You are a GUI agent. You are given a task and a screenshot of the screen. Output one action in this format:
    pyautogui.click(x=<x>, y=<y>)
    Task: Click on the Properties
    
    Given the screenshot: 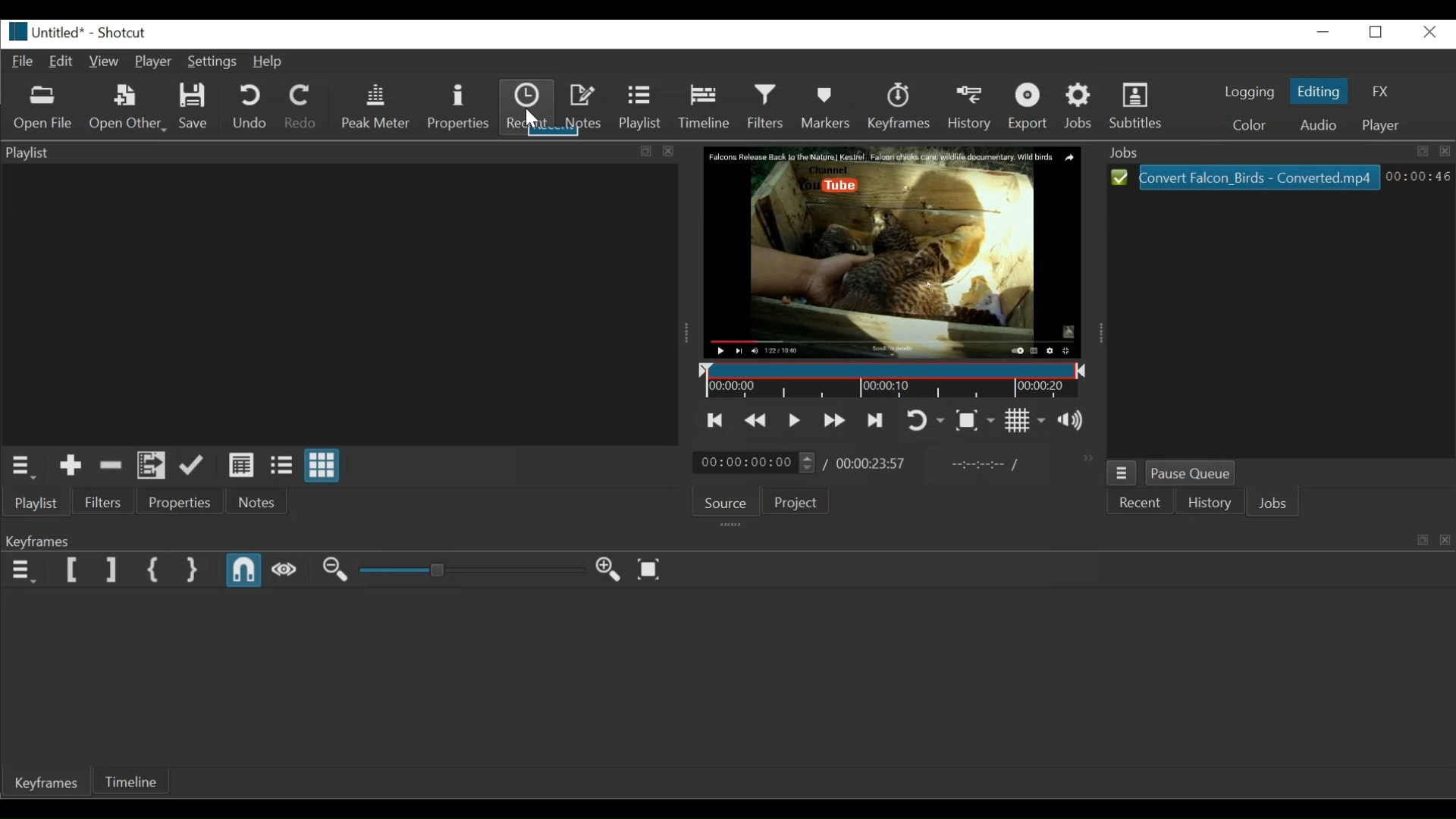 What is the action you would take?
    pyautogui.click(x=175, y=502)
    